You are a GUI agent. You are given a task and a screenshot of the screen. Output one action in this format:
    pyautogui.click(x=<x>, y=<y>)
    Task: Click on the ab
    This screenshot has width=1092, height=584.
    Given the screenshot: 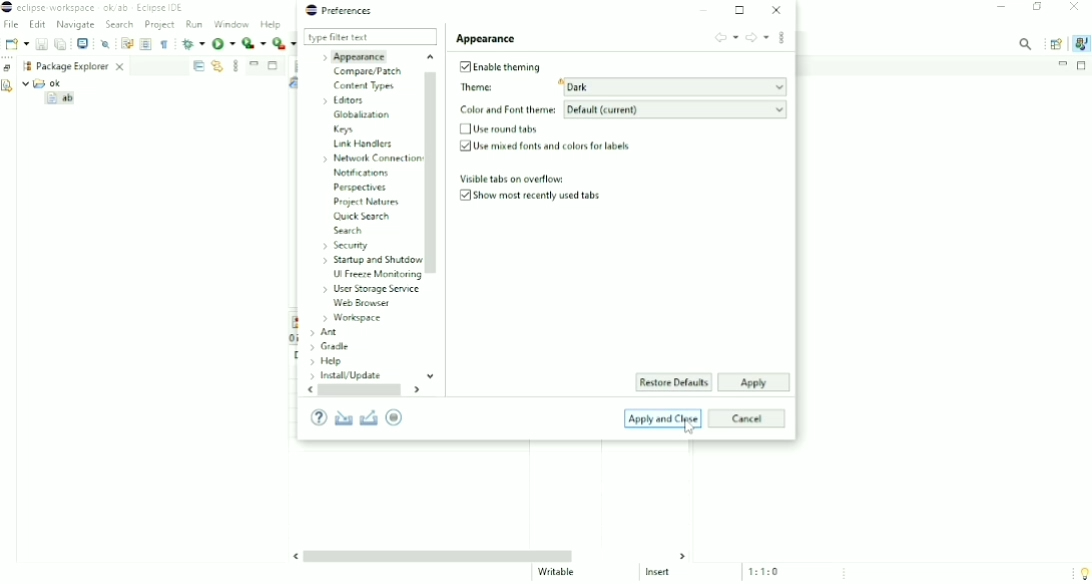 What is the action you would take?
    pyautogui.click(x=62, y=100)
    